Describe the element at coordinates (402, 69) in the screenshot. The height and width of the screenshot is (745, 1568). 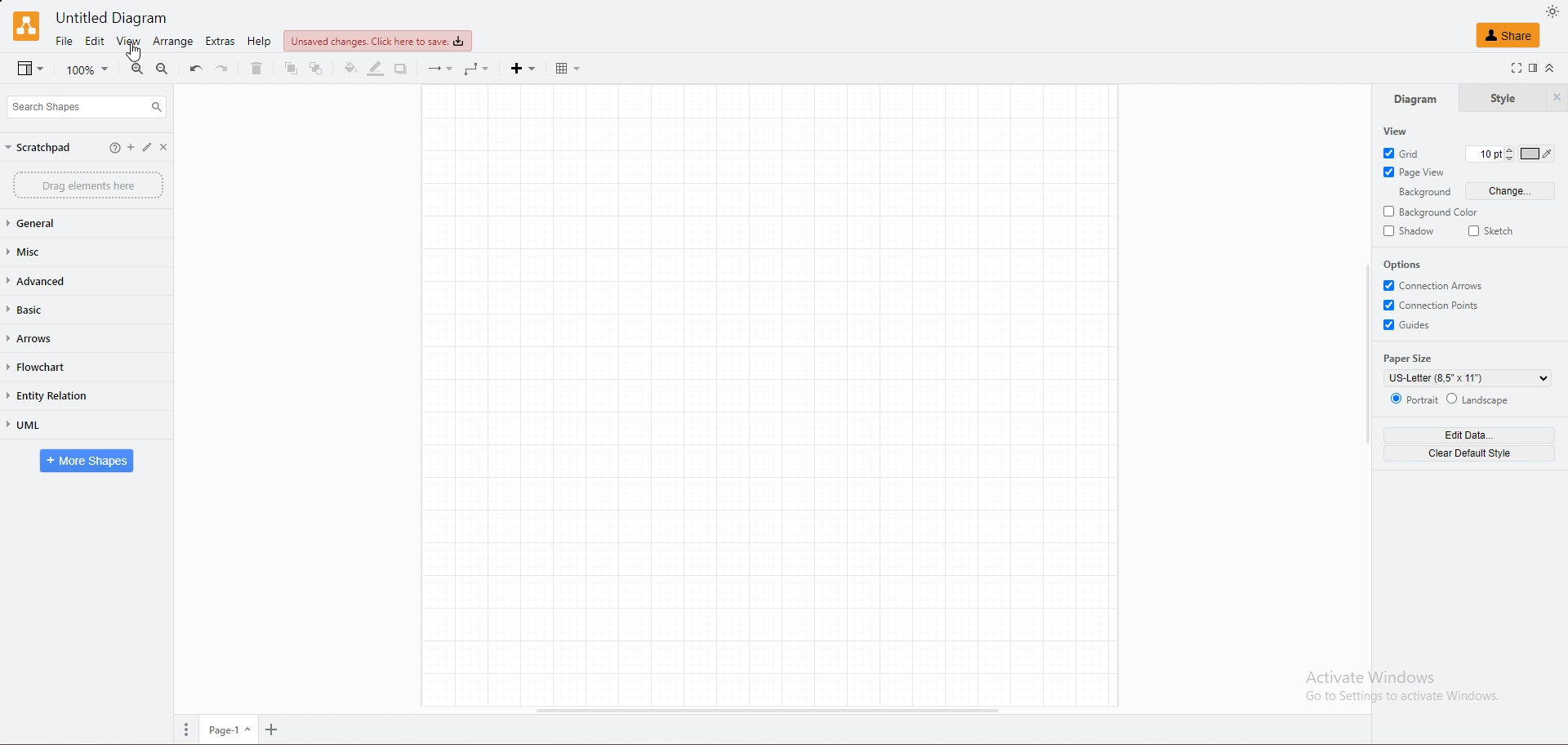
I see `shadow` at that location.